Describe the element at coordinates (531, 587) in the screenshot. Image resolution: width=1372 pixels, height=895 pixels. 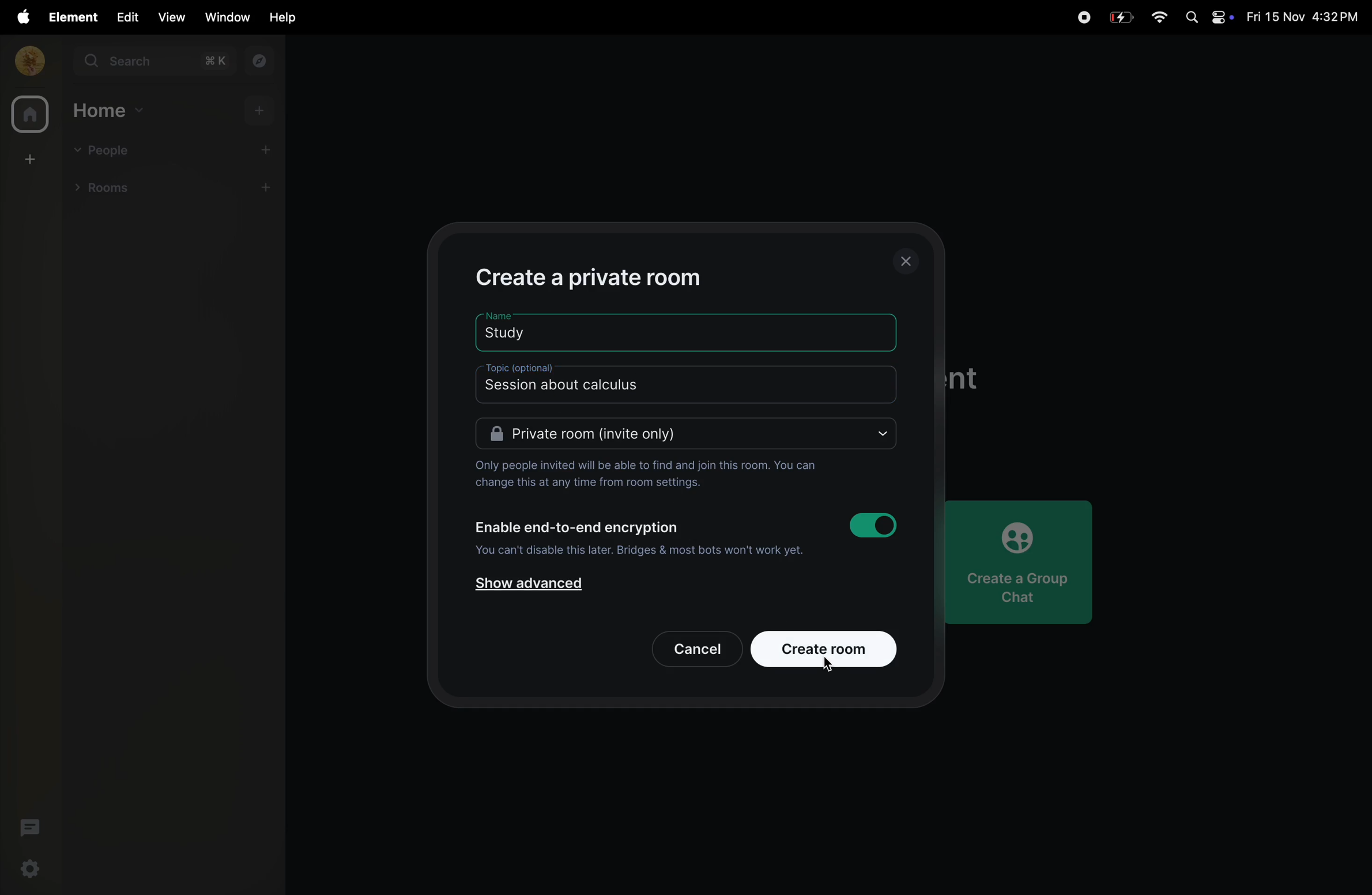
I see `show advanced` at that location.